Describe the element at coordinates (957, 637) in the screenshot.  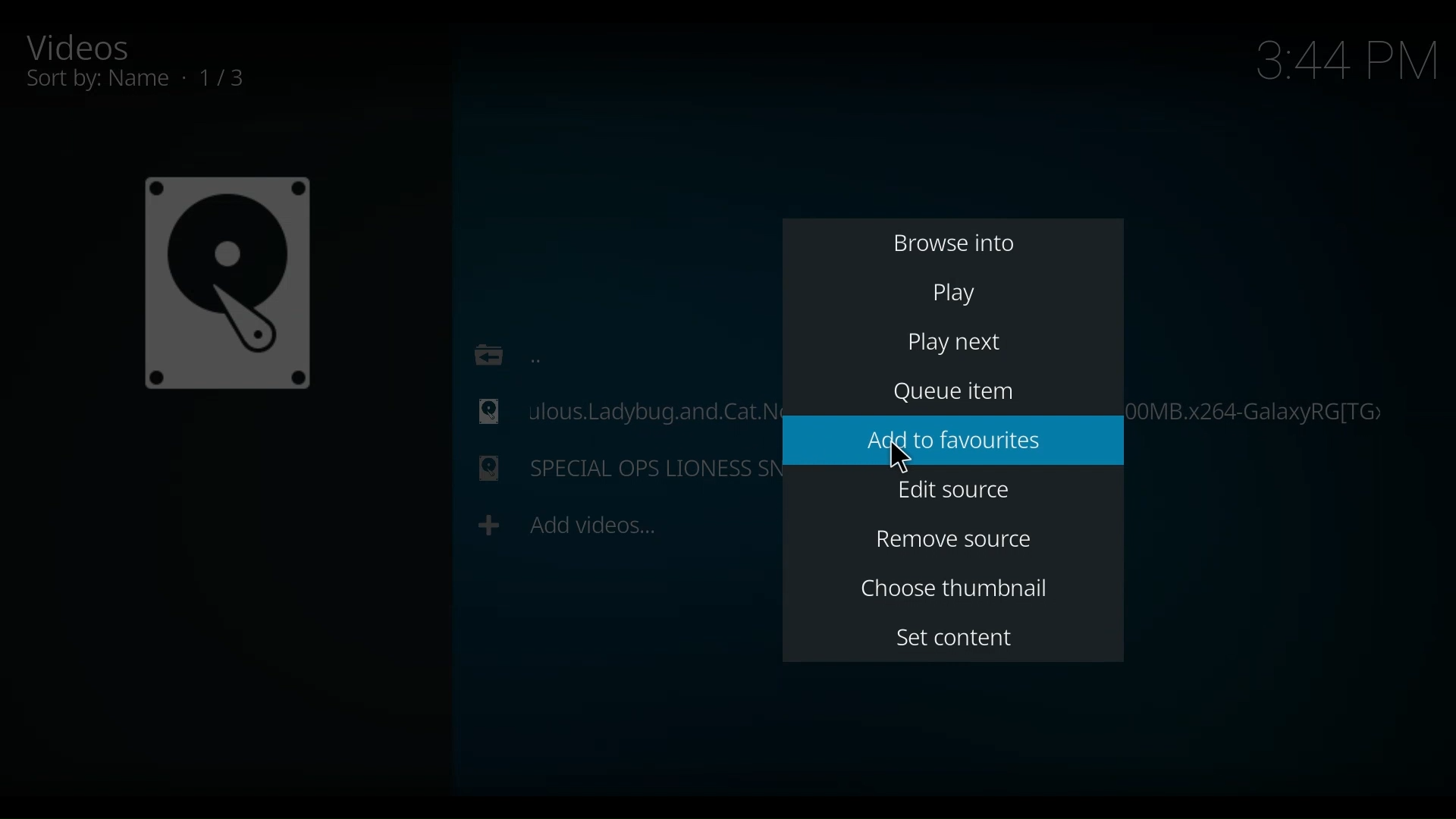
I see `Set Content` at that location.